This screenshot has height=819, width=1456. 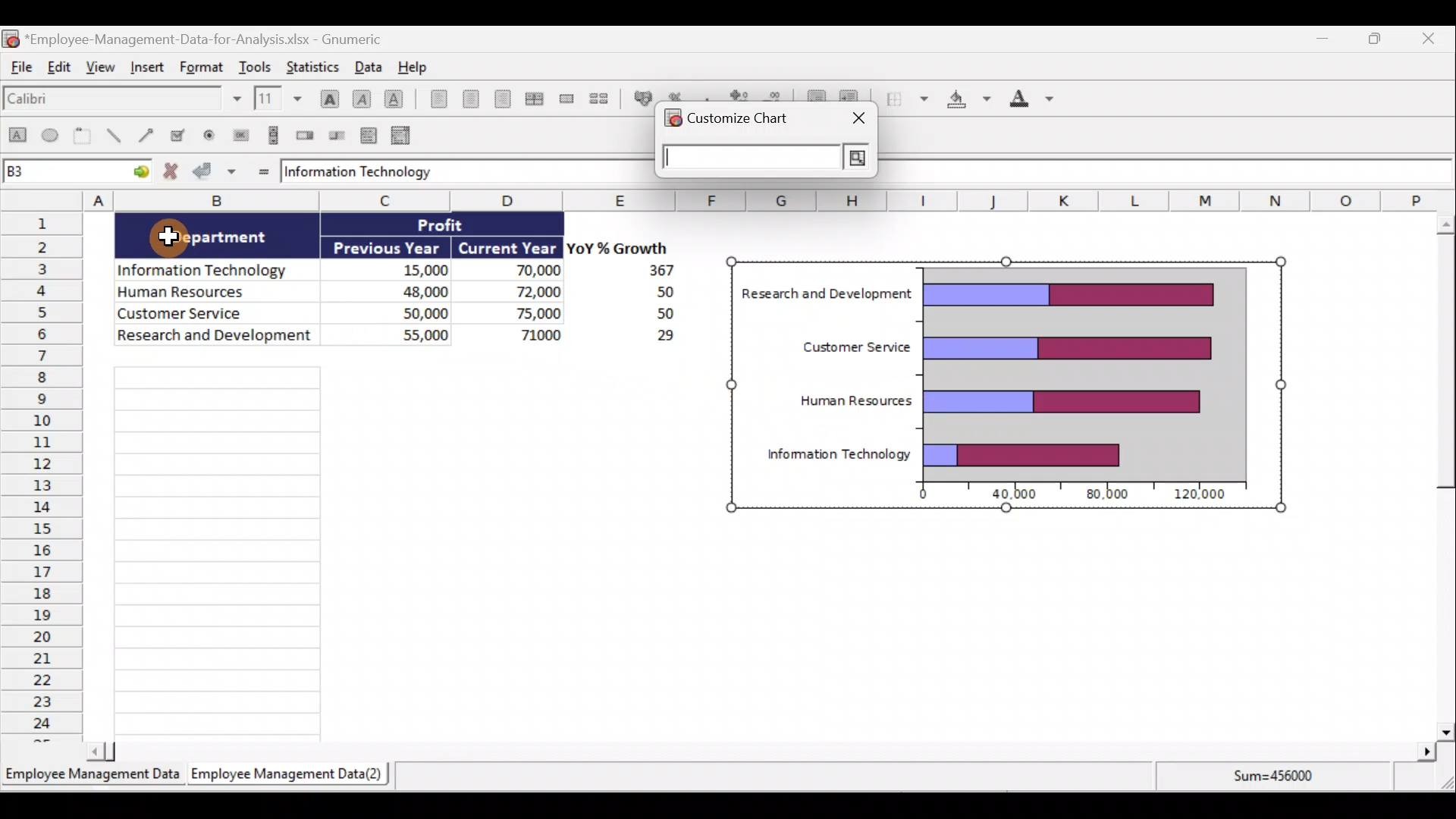 I want to click on close, so click(x=857, y=118).